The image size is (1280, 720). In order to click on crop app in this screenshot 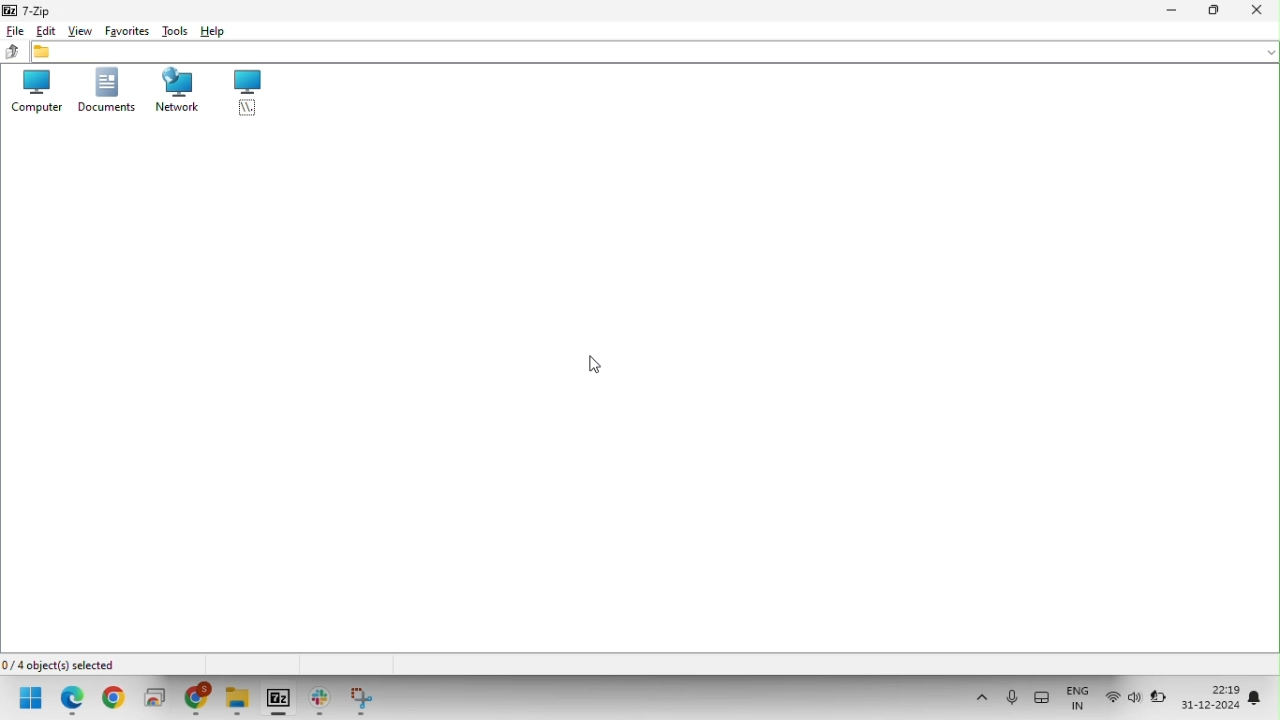, I will do `click(368, 702)`.